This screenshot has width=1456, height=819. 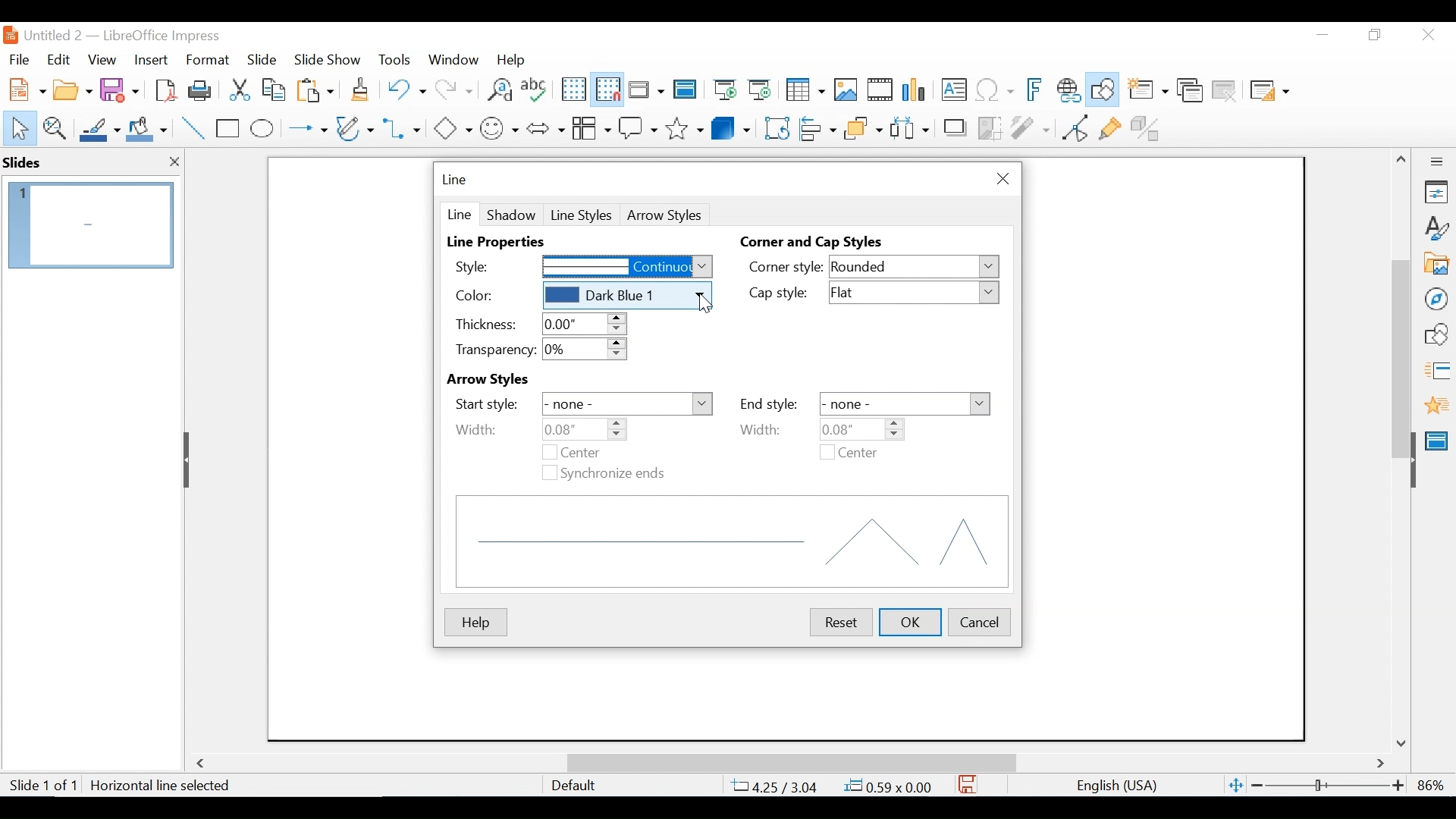 What do you see at coordinates (582, 324) in the screenshot?
I see `o.oo"` at bounding box center [582, 324].